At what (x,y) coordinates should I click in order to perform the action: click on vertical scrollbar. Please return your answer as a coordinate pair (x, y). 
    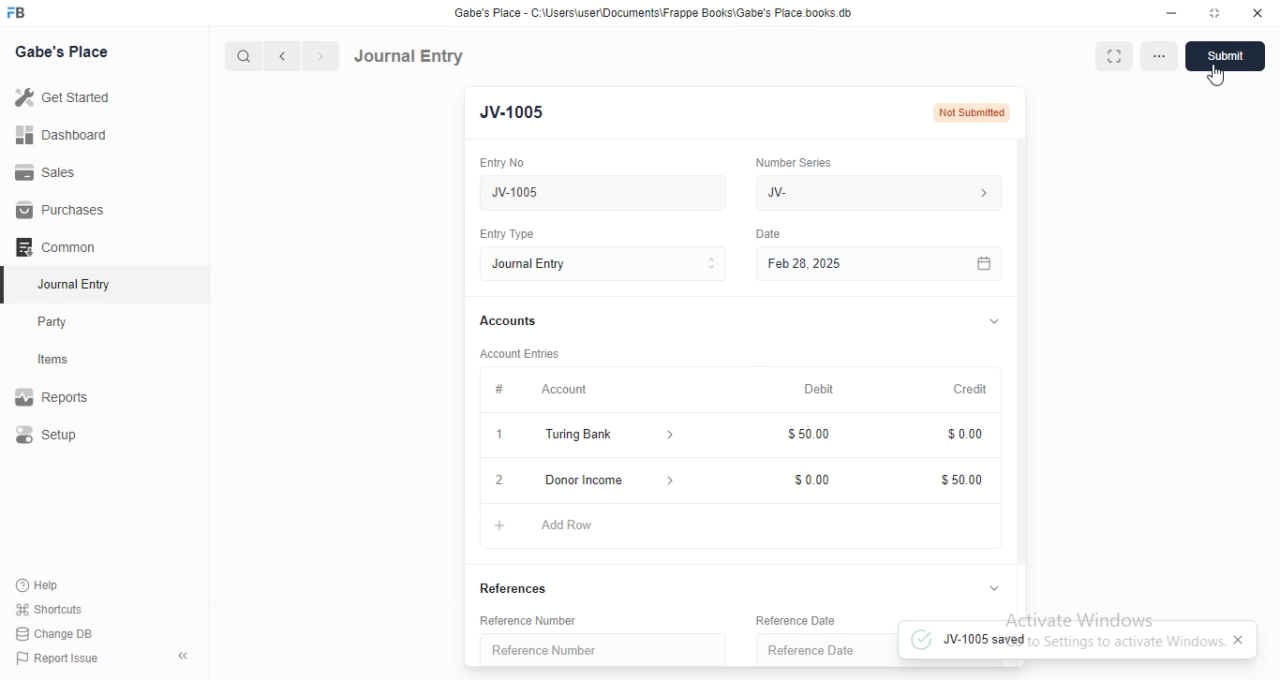
    Looking at the image, I should click on (1022, 350).